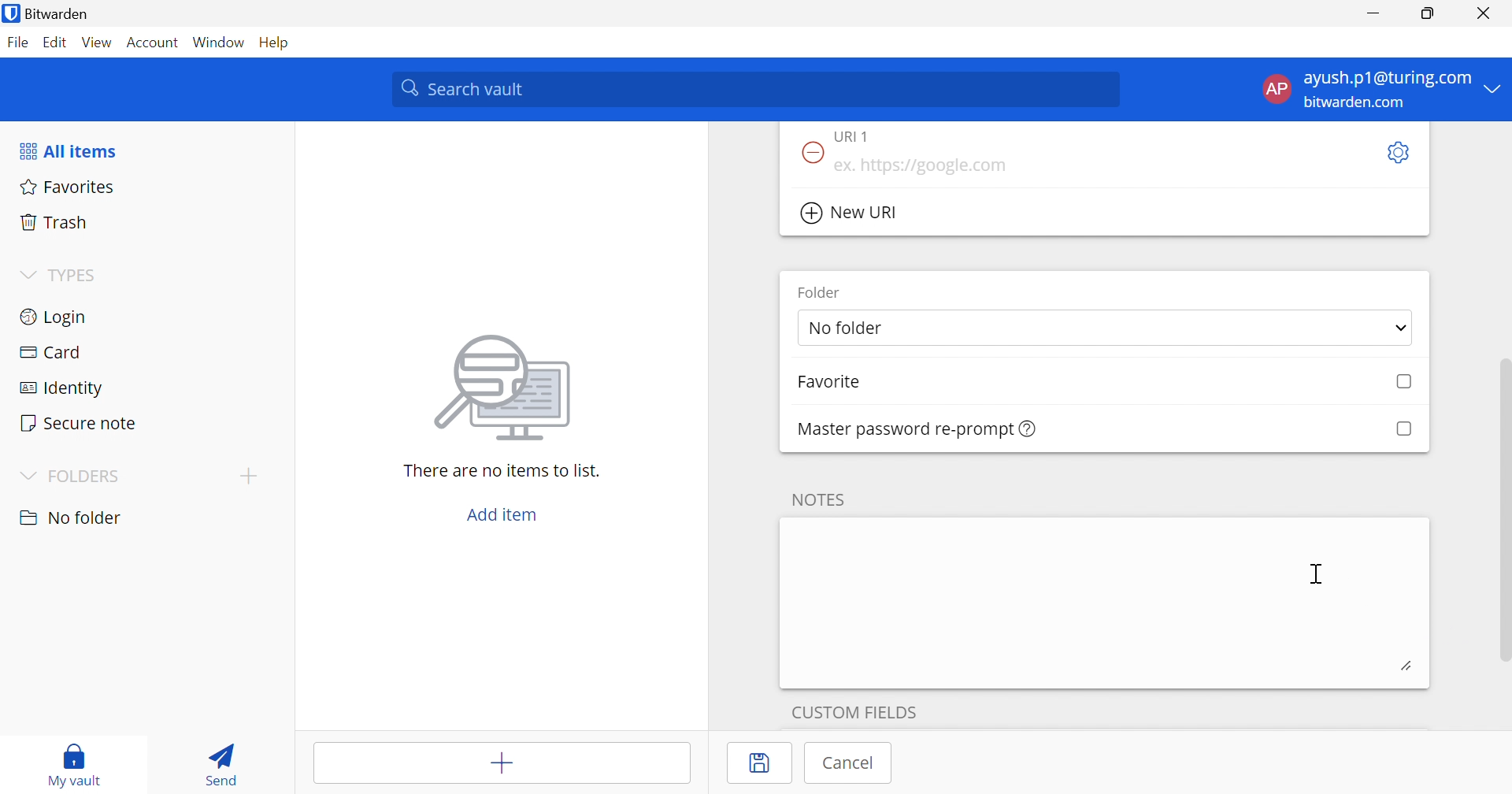  What do you see at coordinates (1429, 13) in the screenshot?
I see `Restore Down` at bounding box center [1429, 13].